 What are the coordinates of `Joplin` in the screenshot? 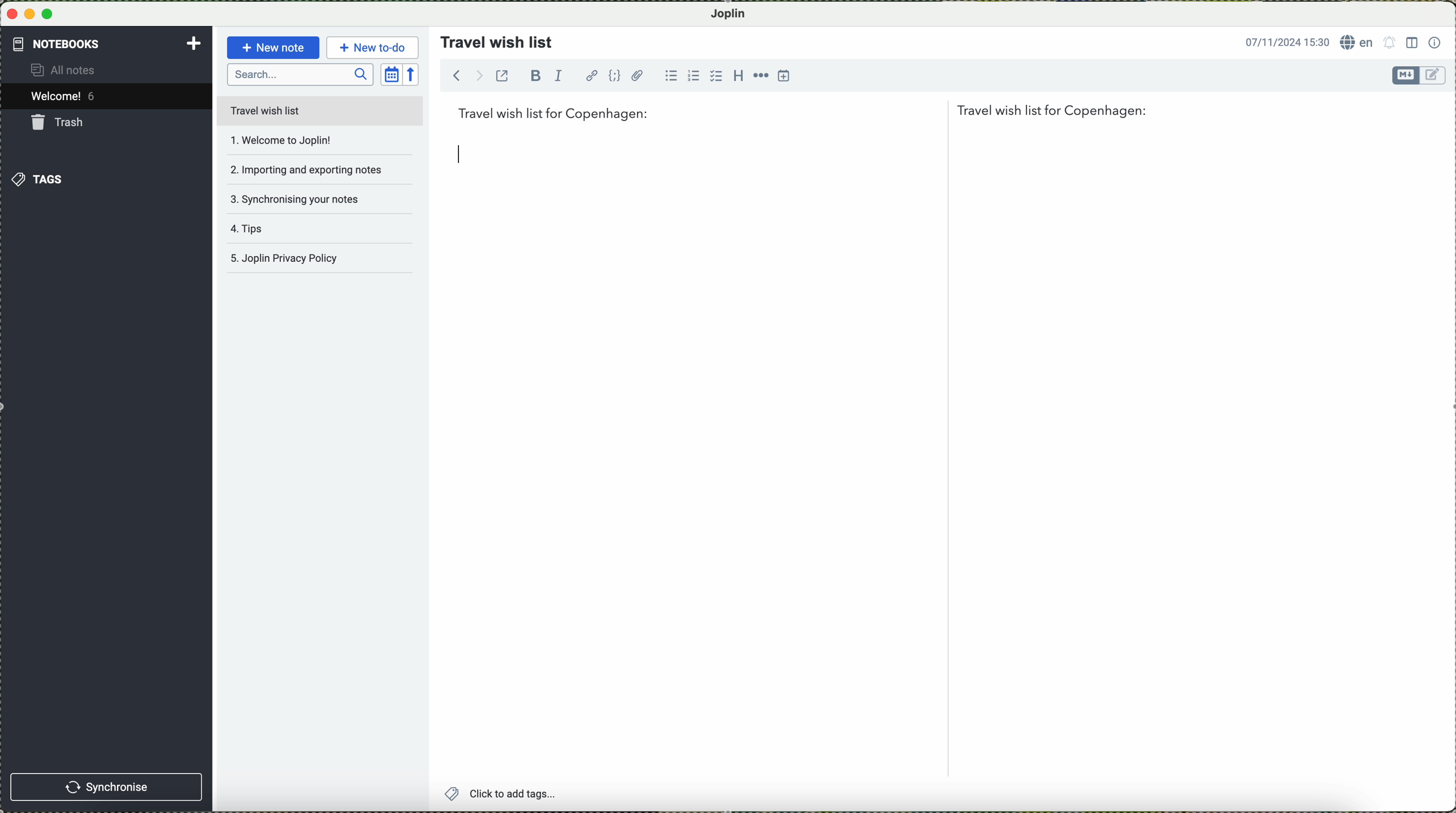 It's located at (734, 13).